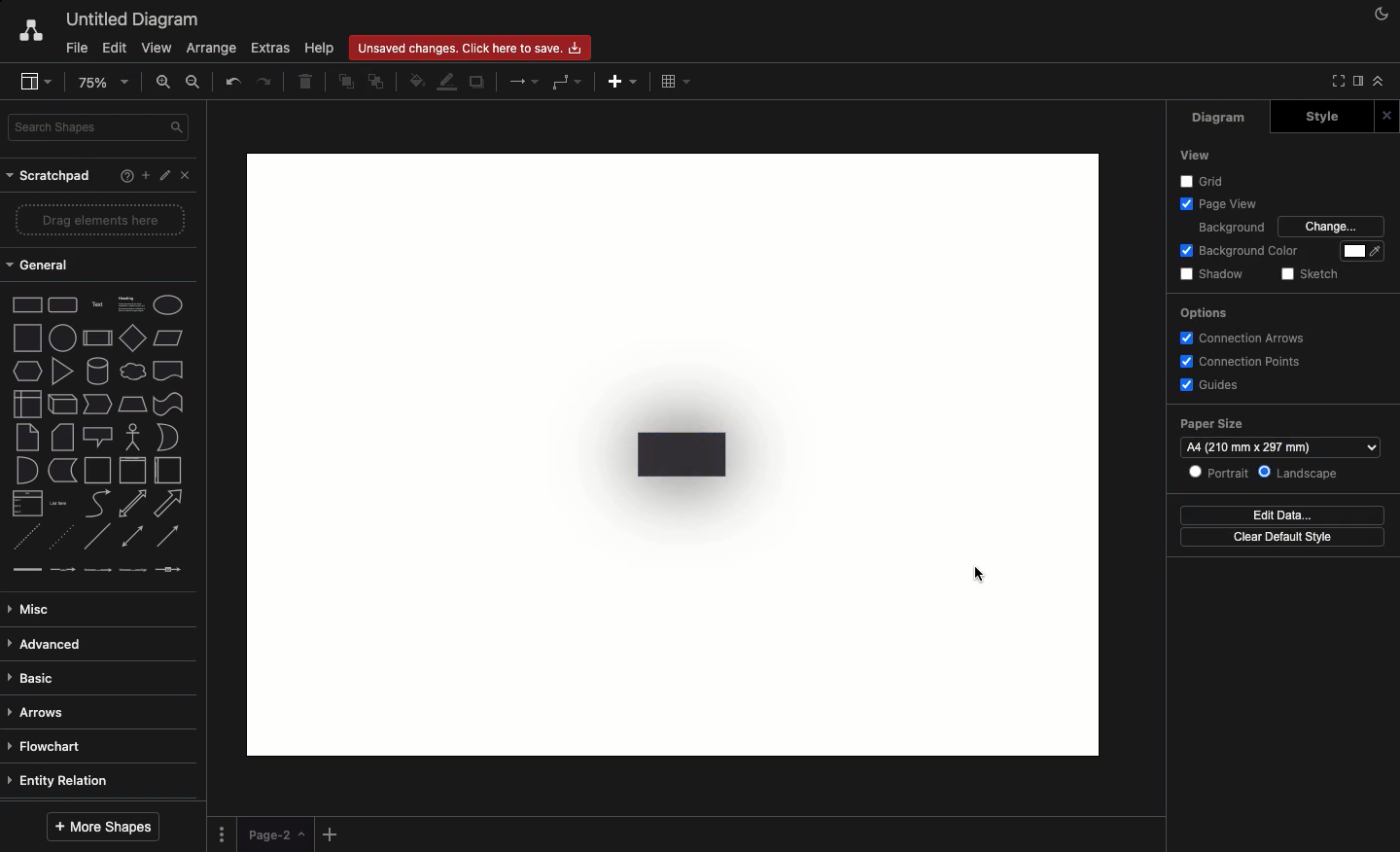 This screenshot has height=852, width=1400. Describe the element at coordinates (477, 83) in the screenshot. I see `Duplicate` at that location.